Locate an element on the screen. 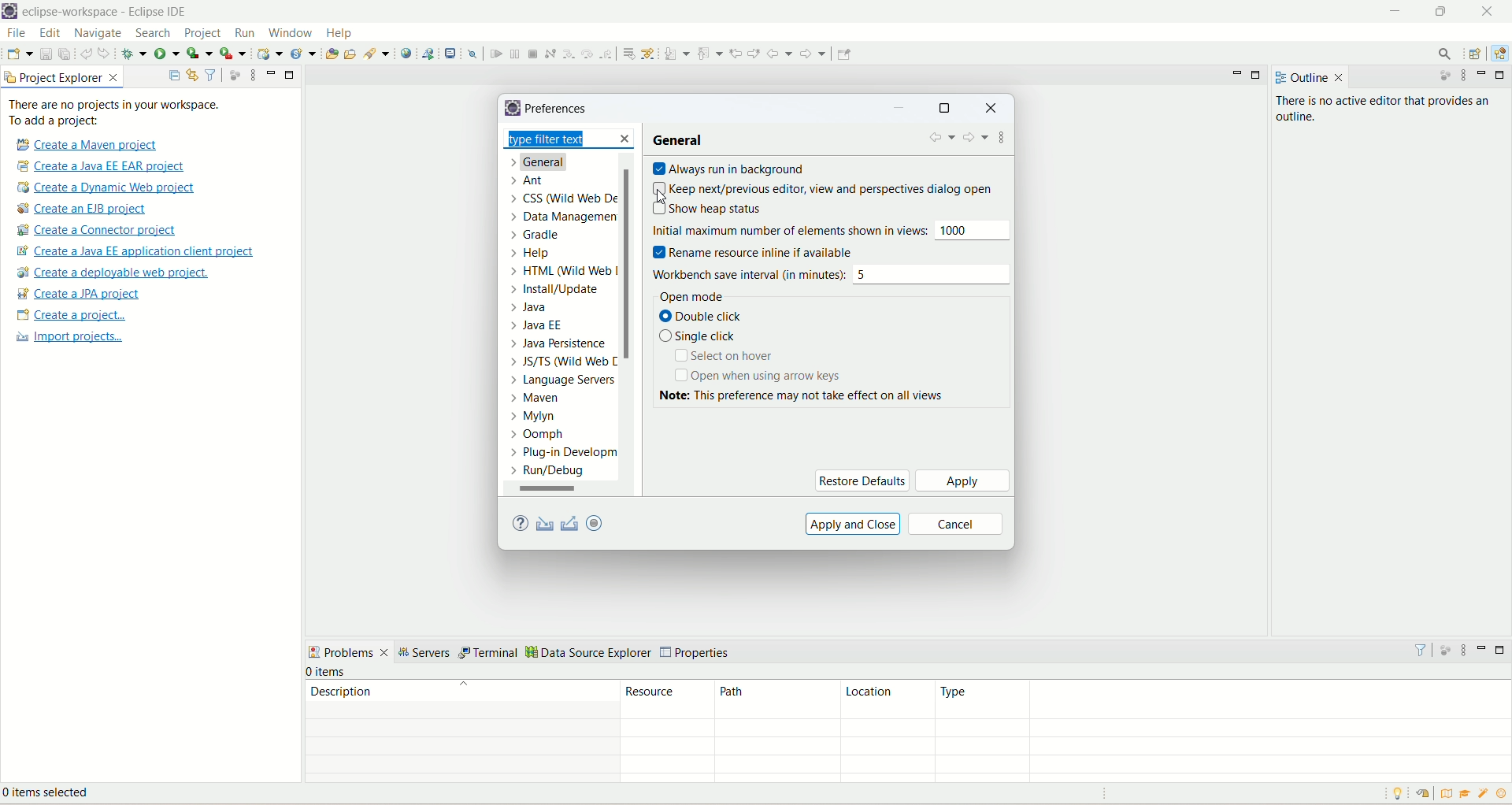 The height and width of the screenshot is (805, 1512). navigate is located at coordinates (101, 34).